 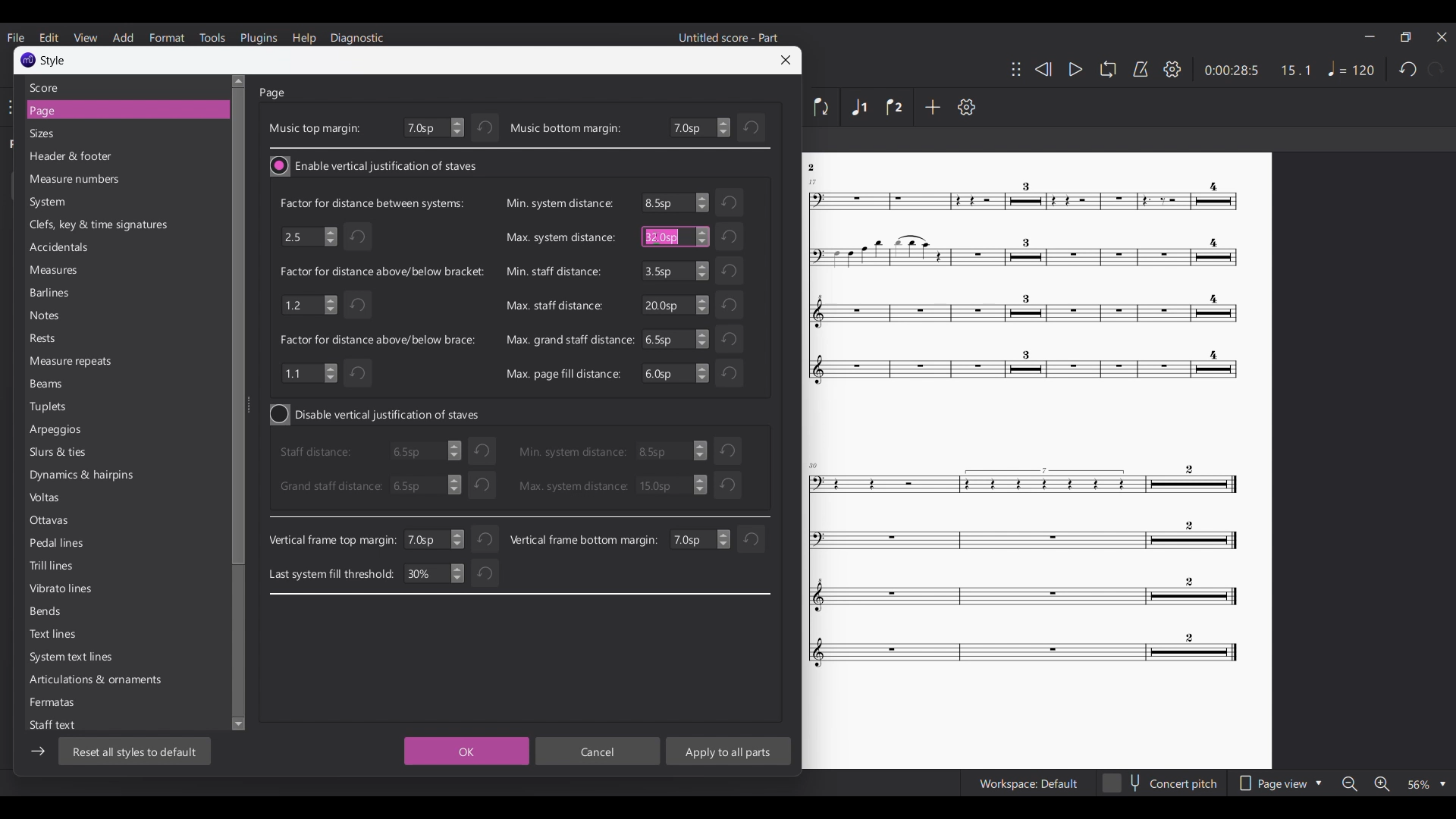 What do you see at coordinates (1028, 784) in the screenshot?
I see `Workspace Default` at bounding box center [1028, 784].